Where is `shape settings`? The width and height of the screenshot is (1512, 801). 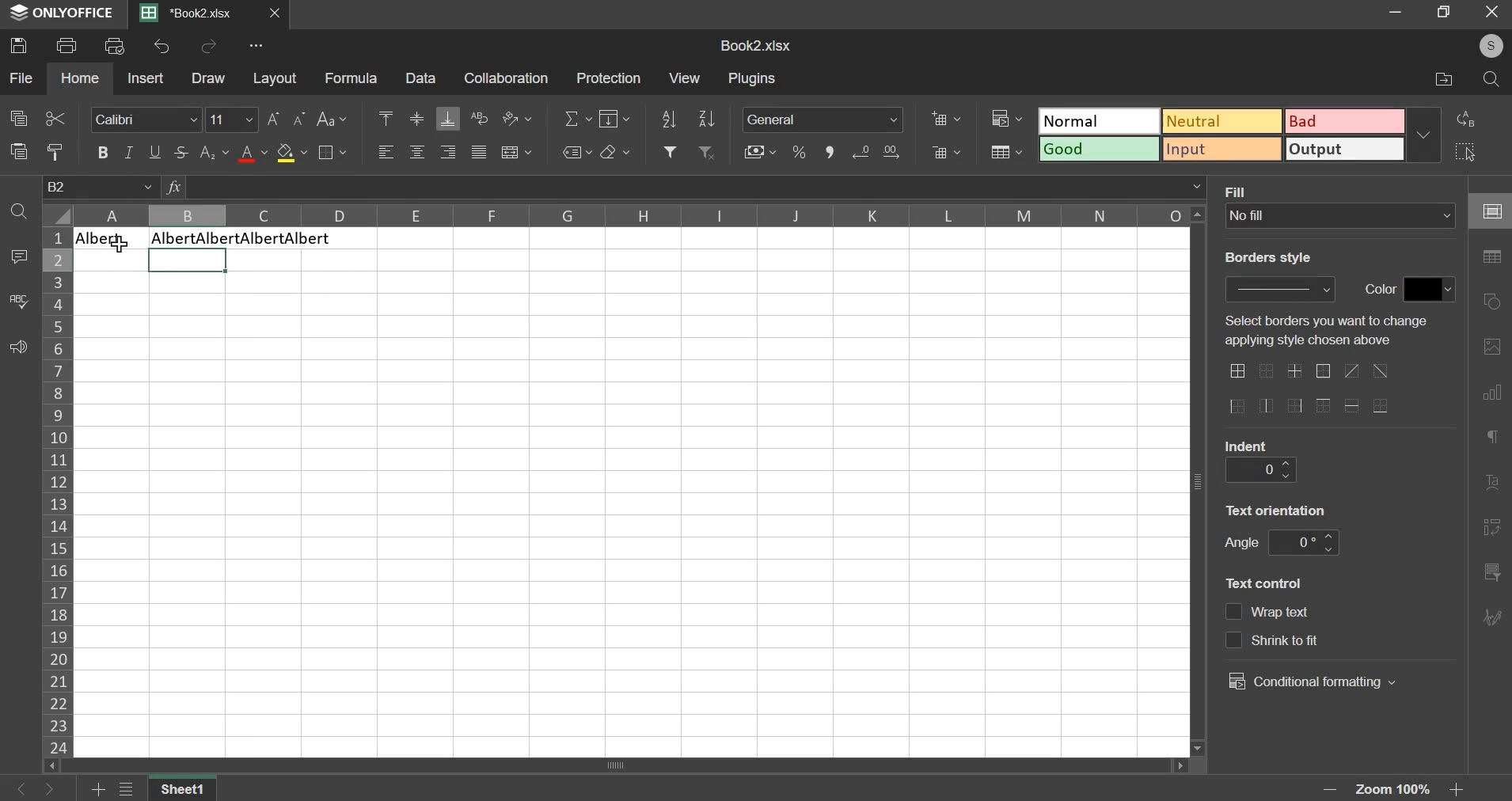 shape settings is located at coordinates (1493, 297).